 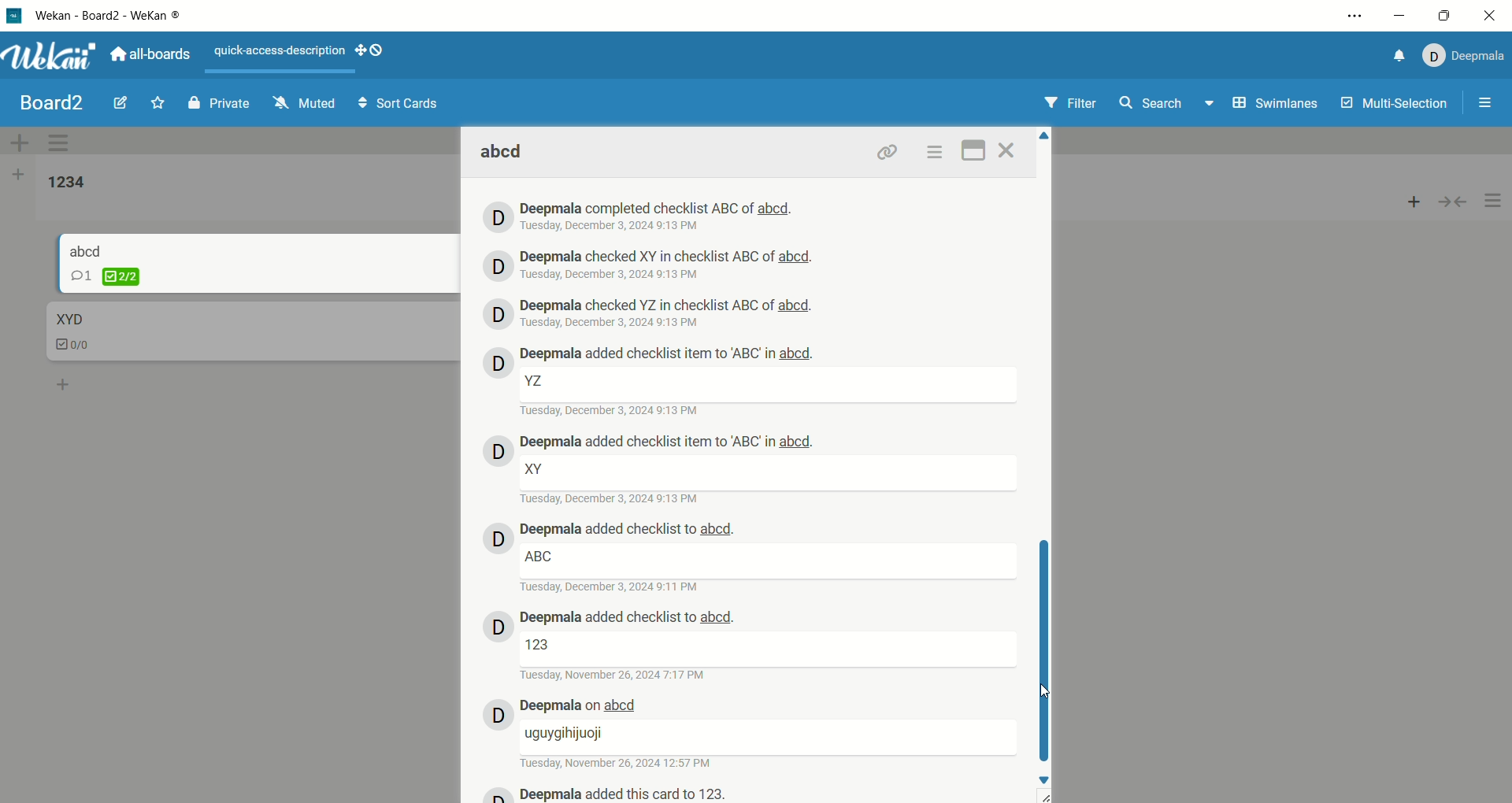 I want to click on multi-selection, so click(x=1396, y=104).